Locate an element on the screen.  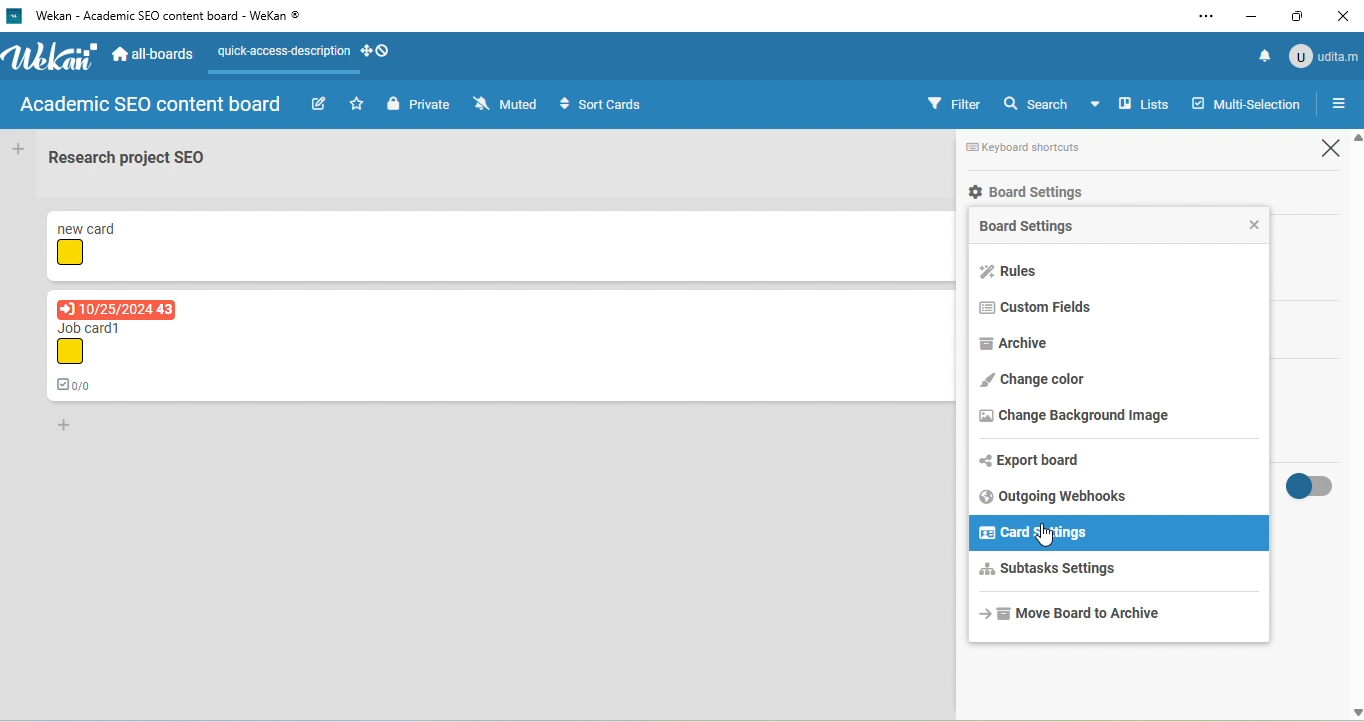
minimize is located at coordinates (1252, 15).